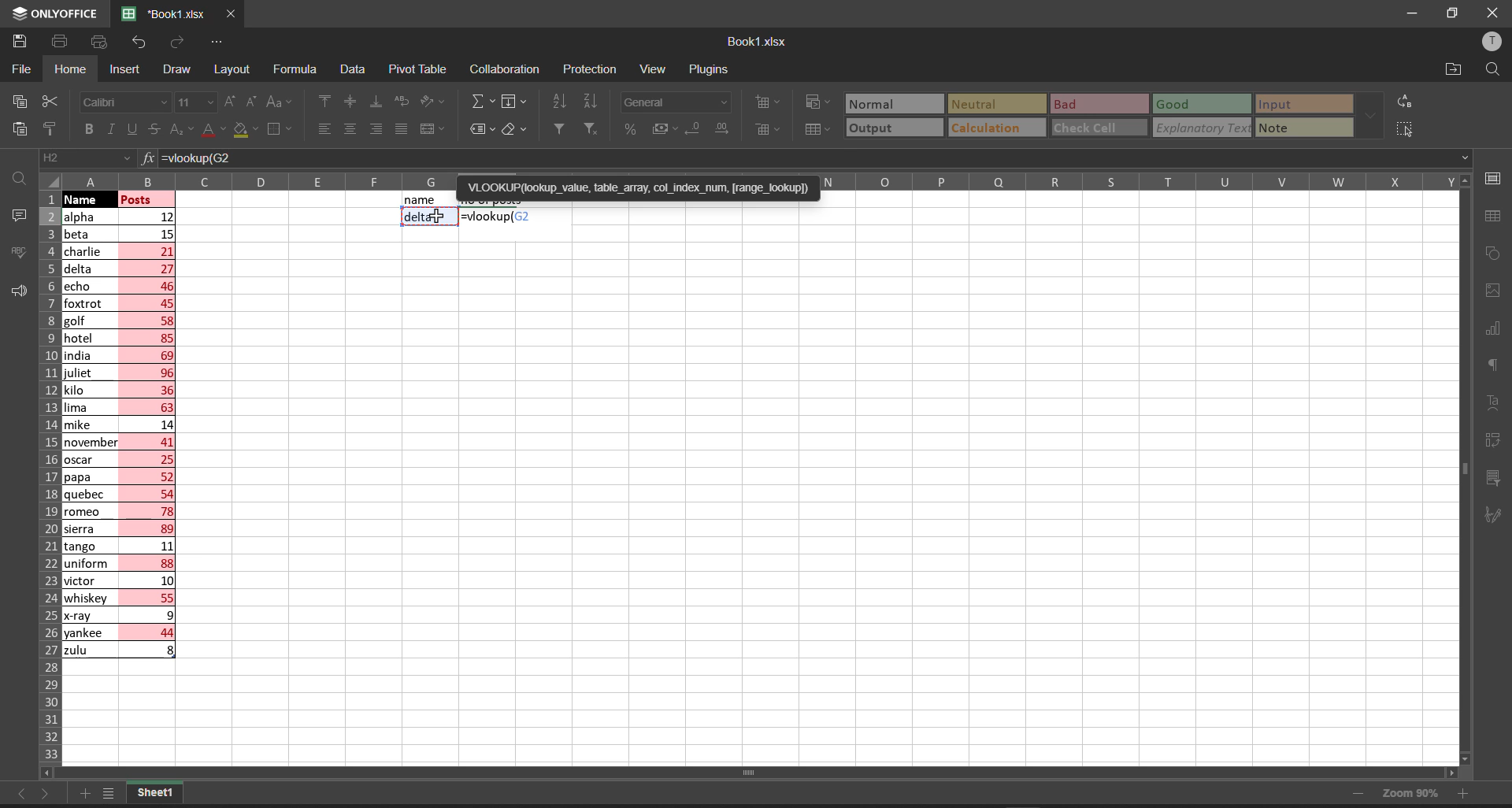 The image size is (1512, 808). I want to click on save, so click(19, 42).